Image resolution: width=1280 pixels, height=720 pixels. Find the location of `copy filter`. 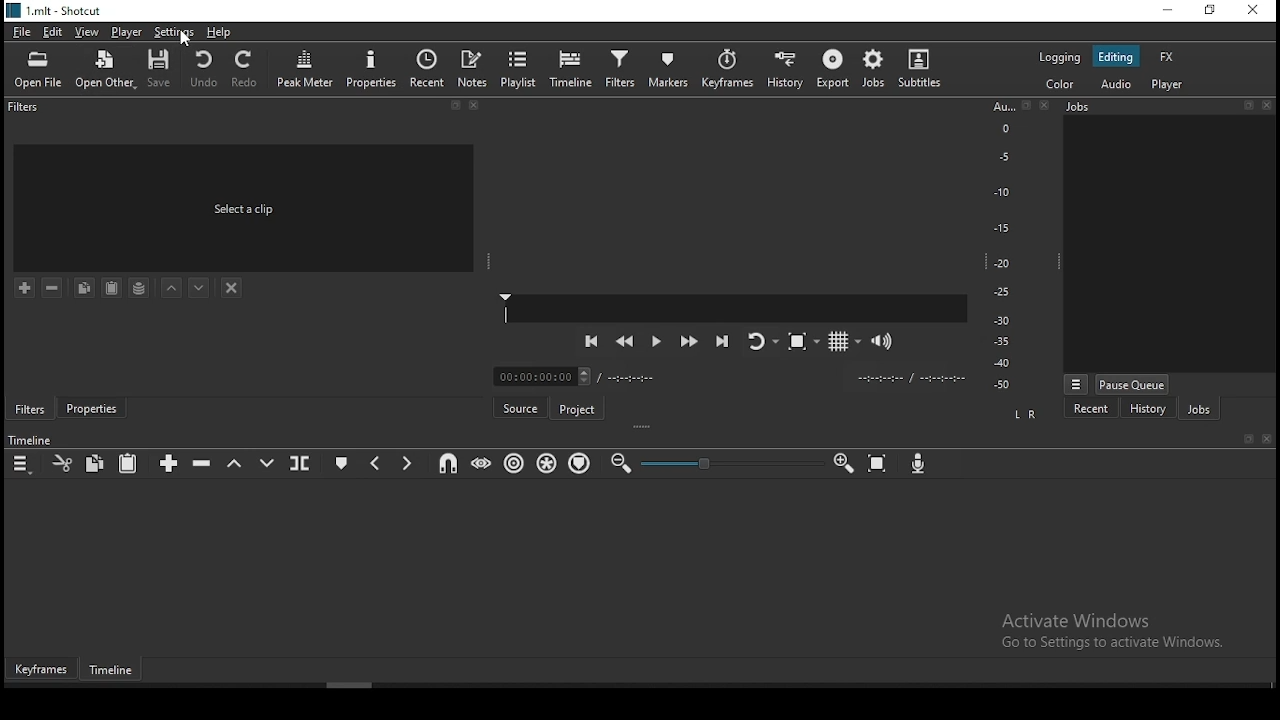

copy filter is located at coordinates (84, 288).